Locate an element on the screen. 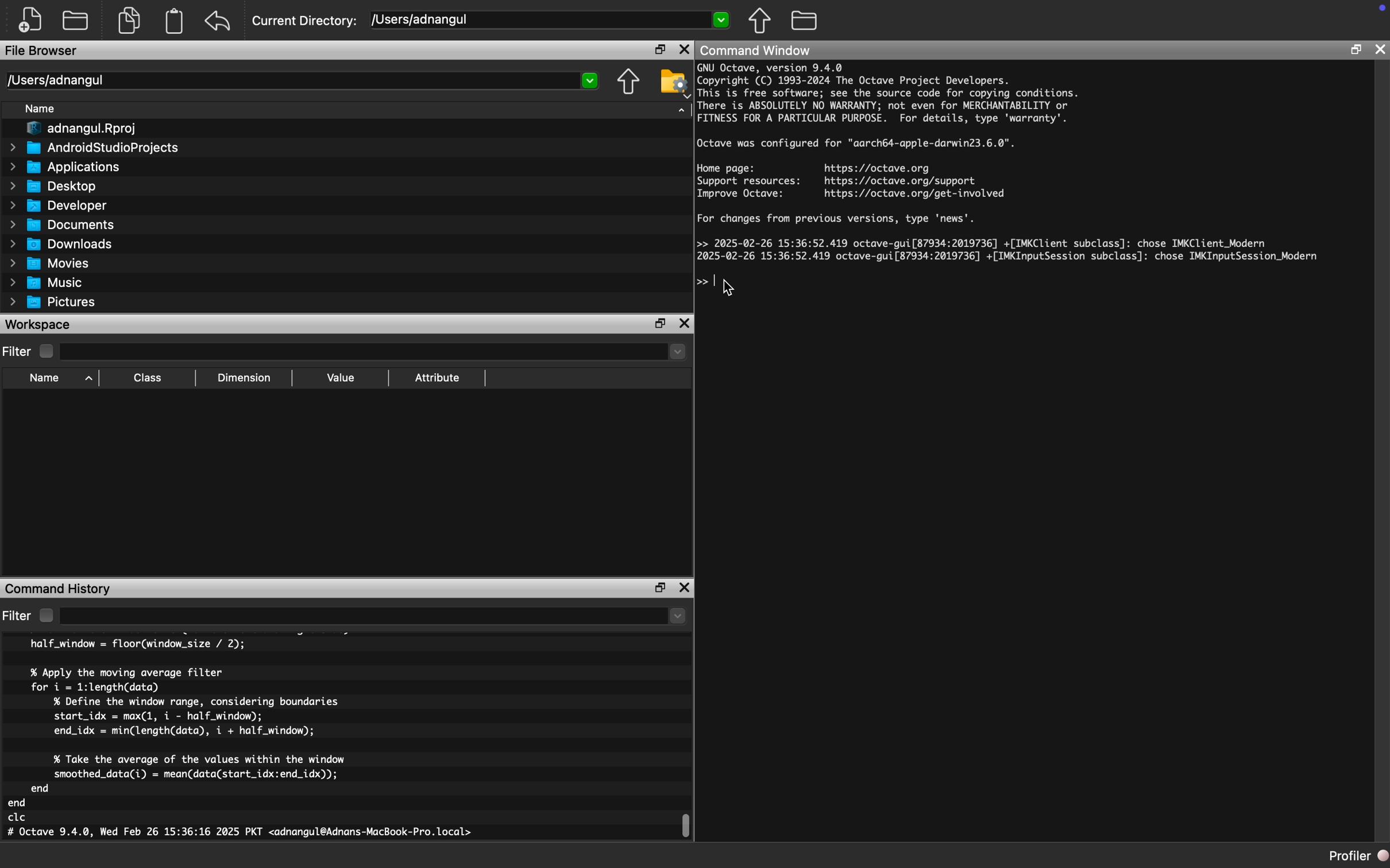 The width and height of the screenshot is (1390, 868). Parent Directory is located at coordinates (761, 22).